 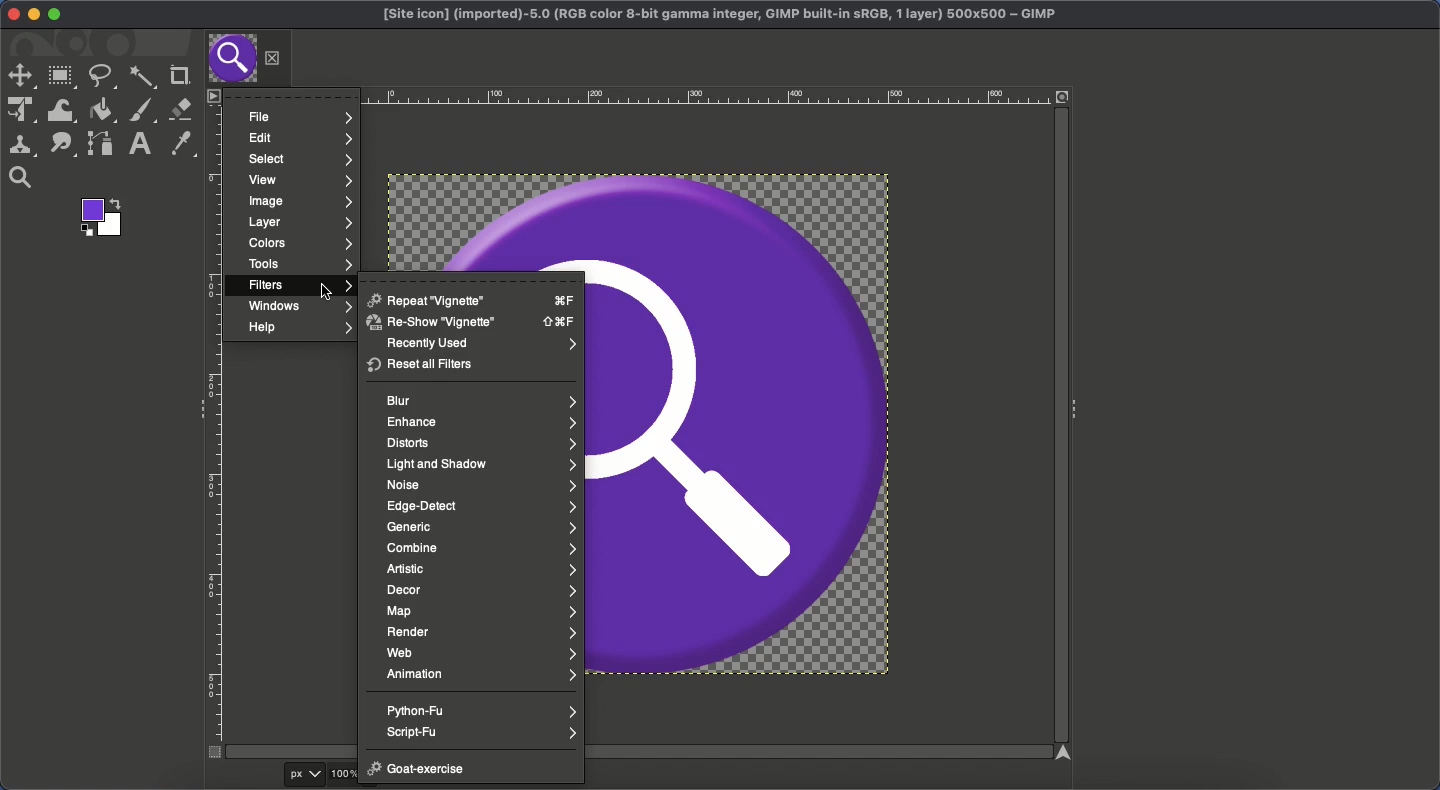 I want to click on Fuzzy selector, so click(x=142, y=79).